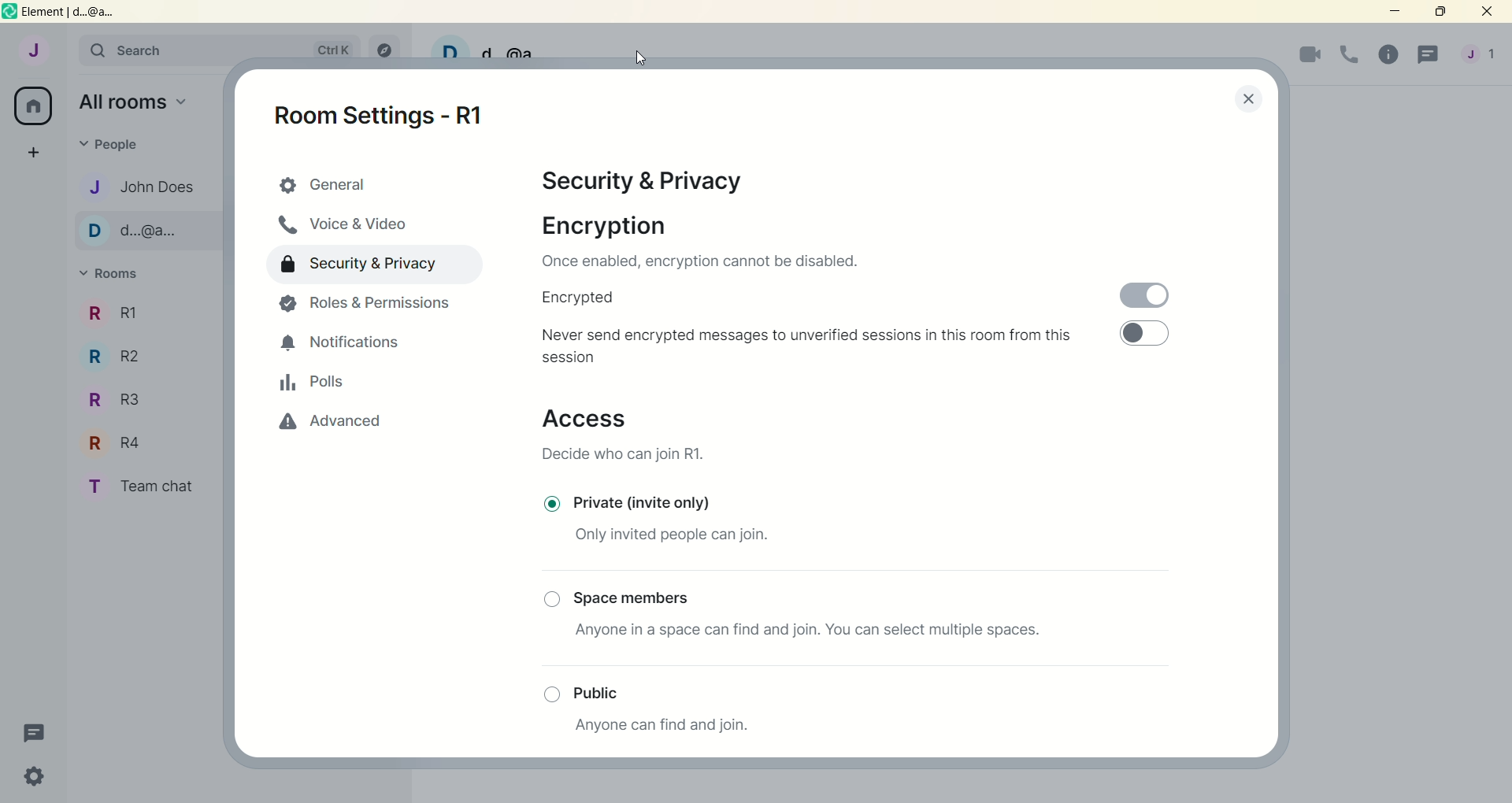 This screenshot has width=1512, height=803. Describe the element at coordinates (143, 190) in the screenshot. I see `J John Does` at that location.